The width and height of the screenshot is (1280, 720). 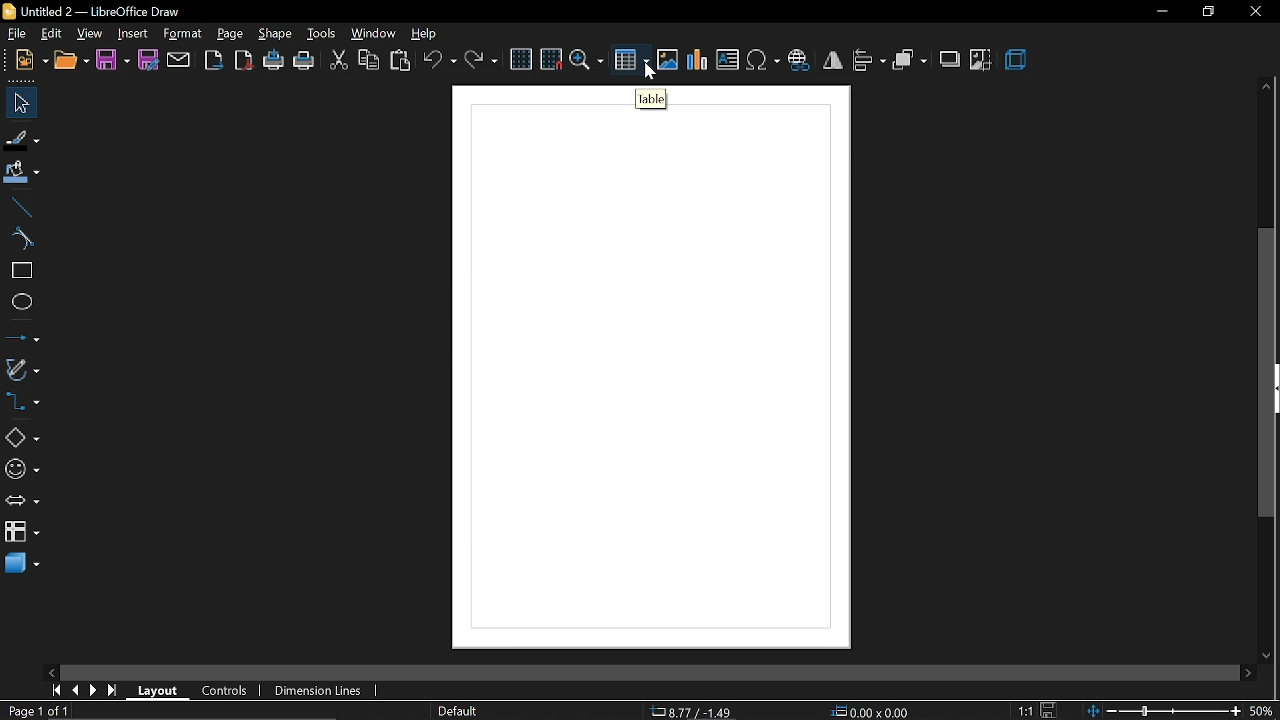 I want to click on insert image, so click(x=669, y=59).